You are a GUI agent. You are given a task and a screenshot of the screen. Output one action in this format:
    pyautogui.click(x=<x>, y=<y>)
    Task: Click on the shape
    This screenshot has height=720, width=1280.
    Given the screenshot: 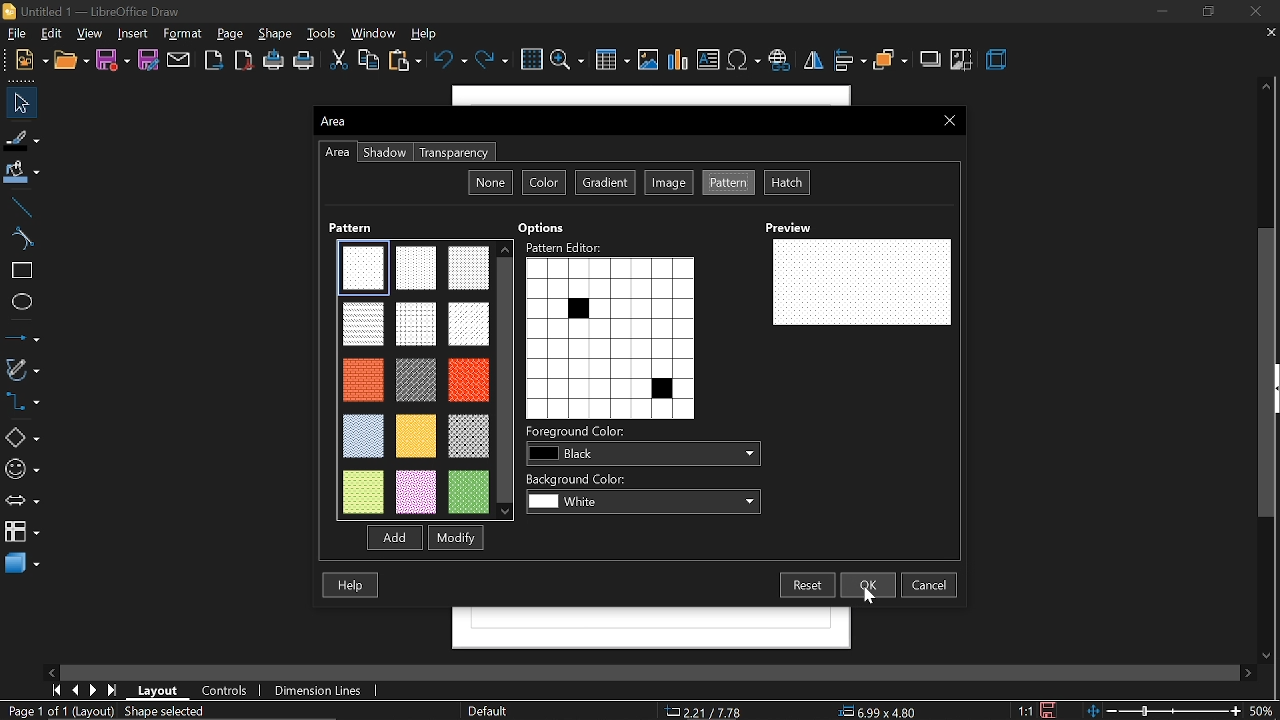 What is the action you would take?
    pyautogui.click(x=276, y=34)
    